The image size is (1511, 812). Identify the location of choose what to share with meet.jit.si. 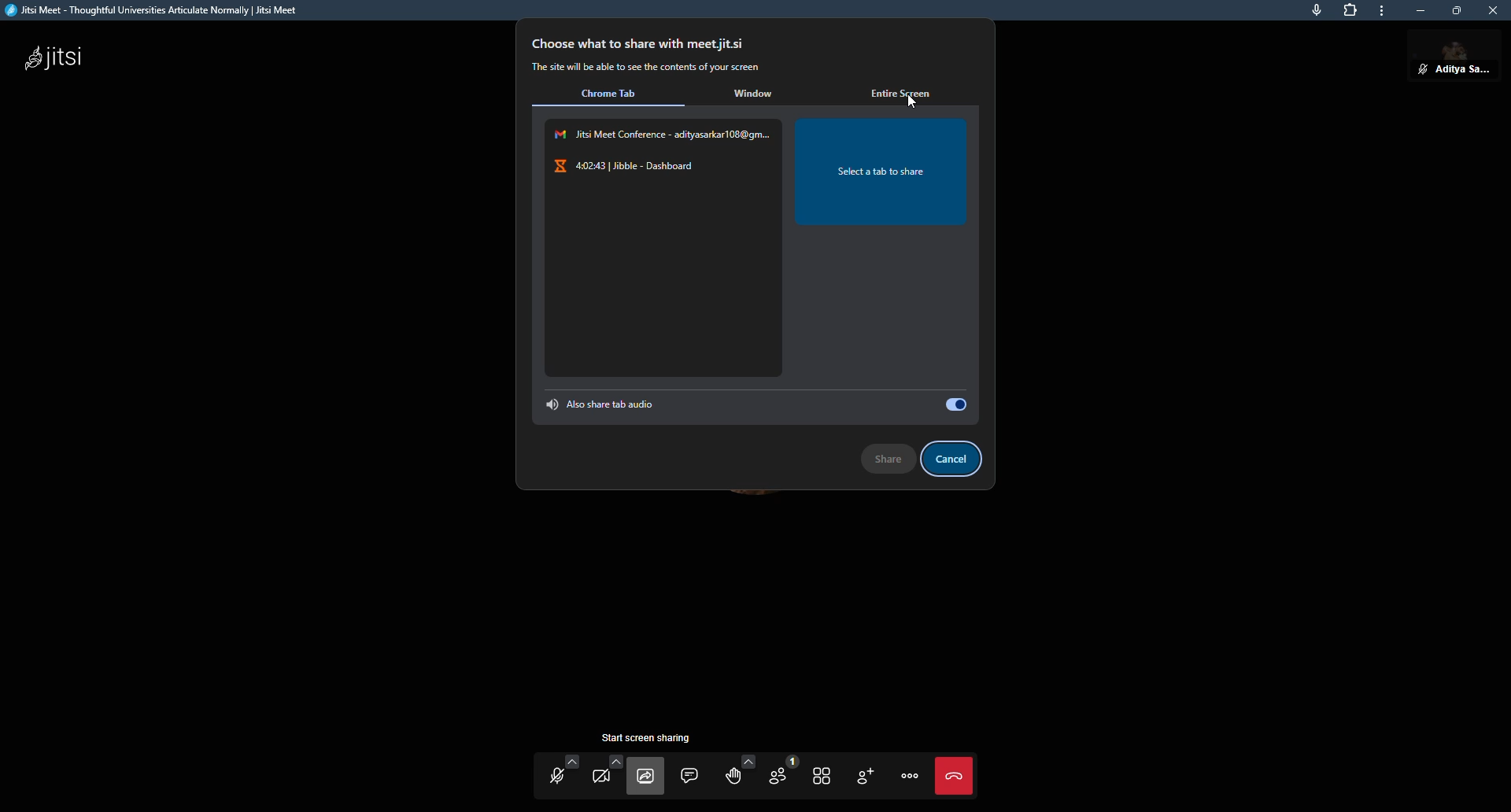
(642, 42).